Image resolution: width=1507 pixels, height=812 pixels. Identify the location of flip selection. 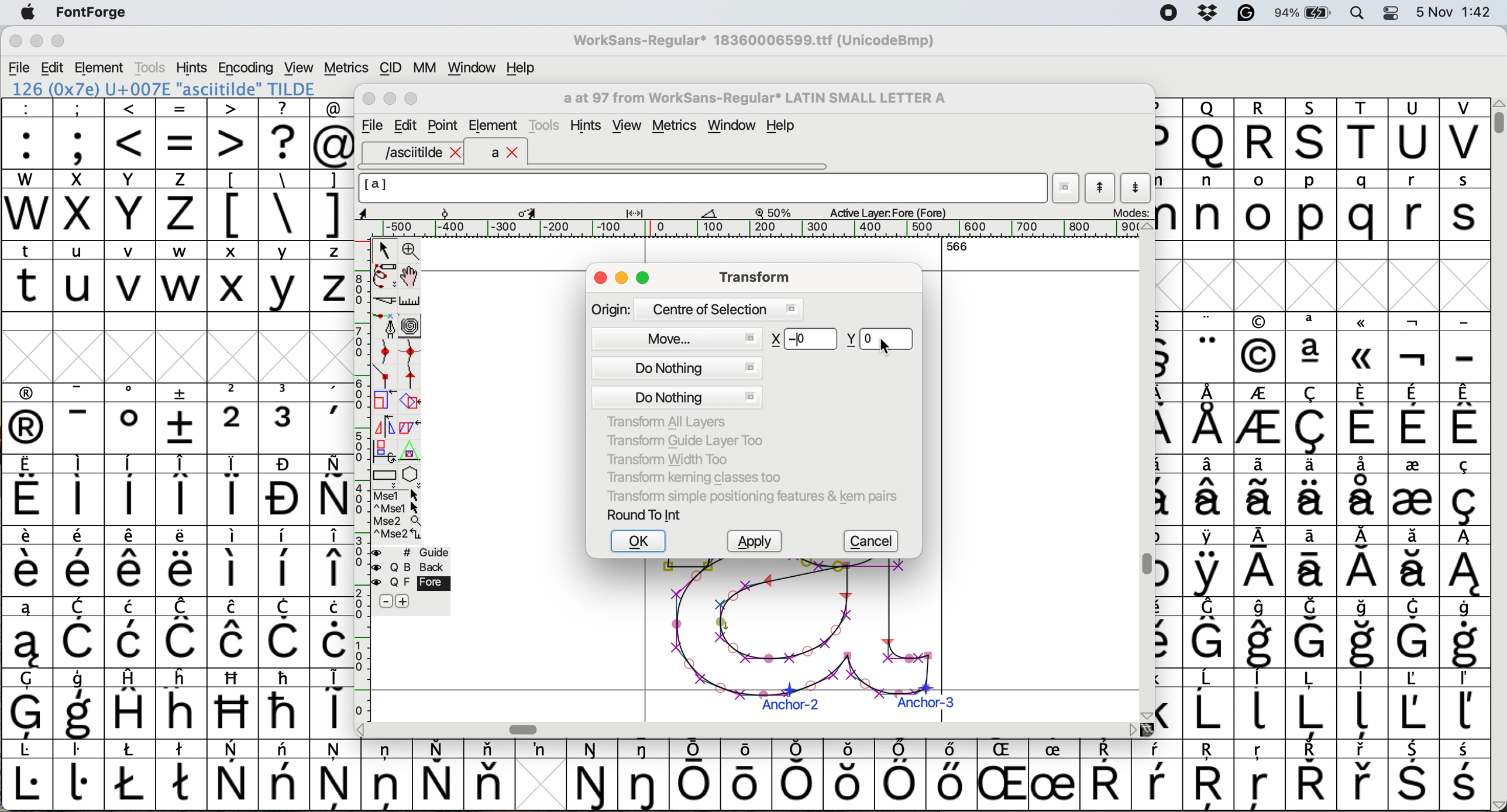
(384, 425).